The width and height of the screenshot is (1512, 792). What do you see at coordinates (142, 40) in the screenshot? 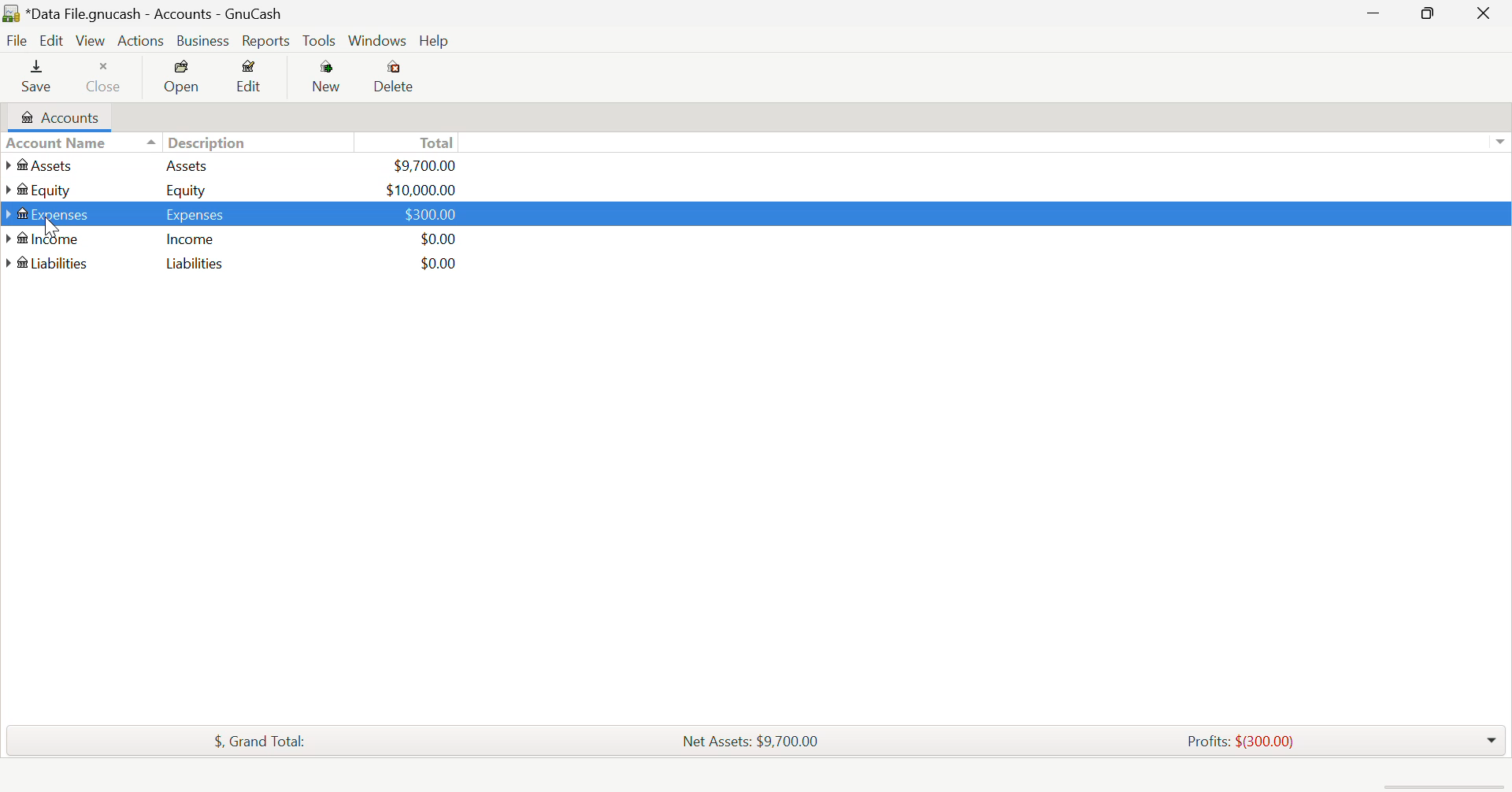
I see `Actions` at bounding box center [142, 40].